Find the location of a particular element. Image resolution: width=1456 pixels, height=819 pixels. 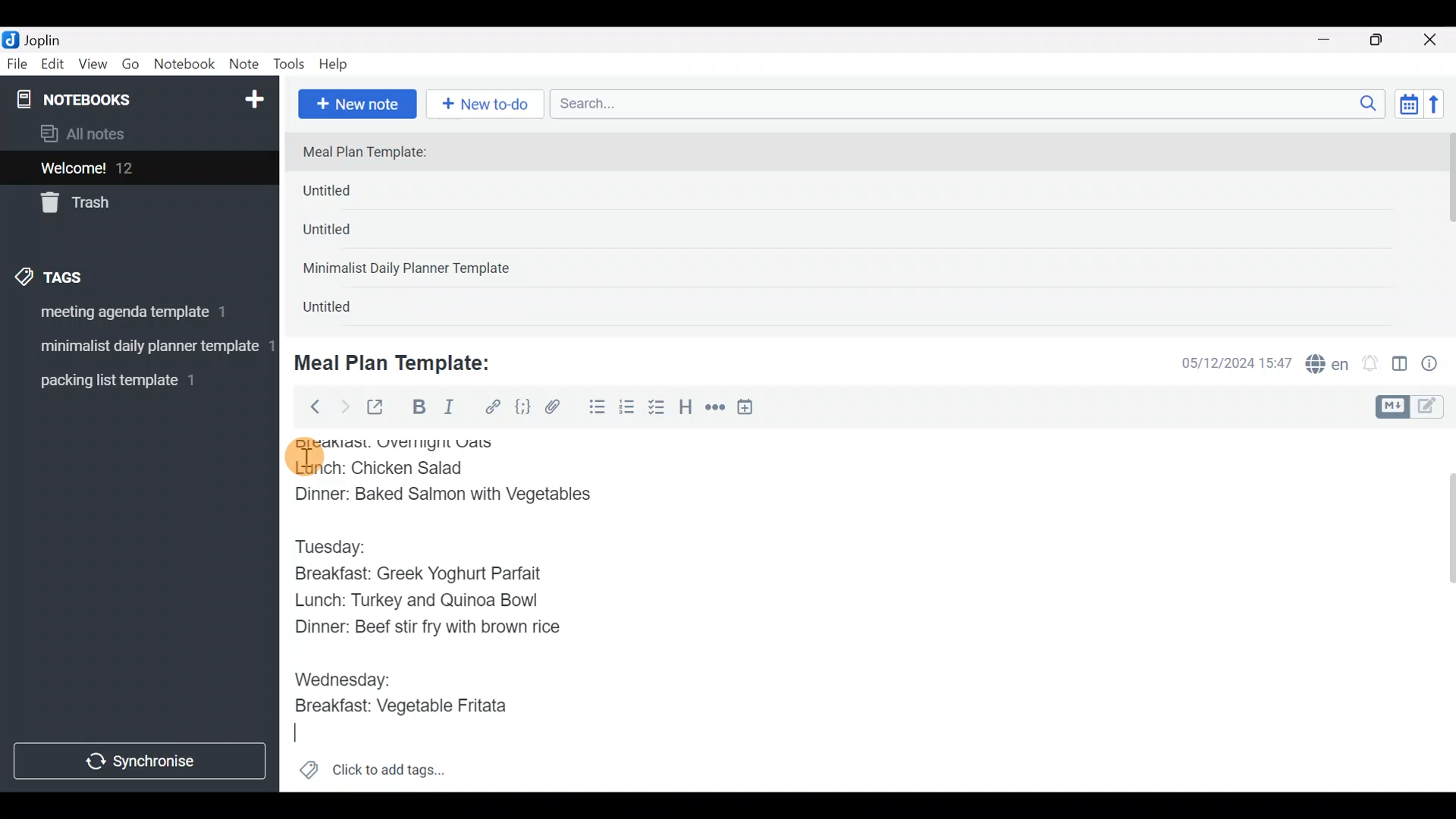

cursor is located at coordinates (303, 456).